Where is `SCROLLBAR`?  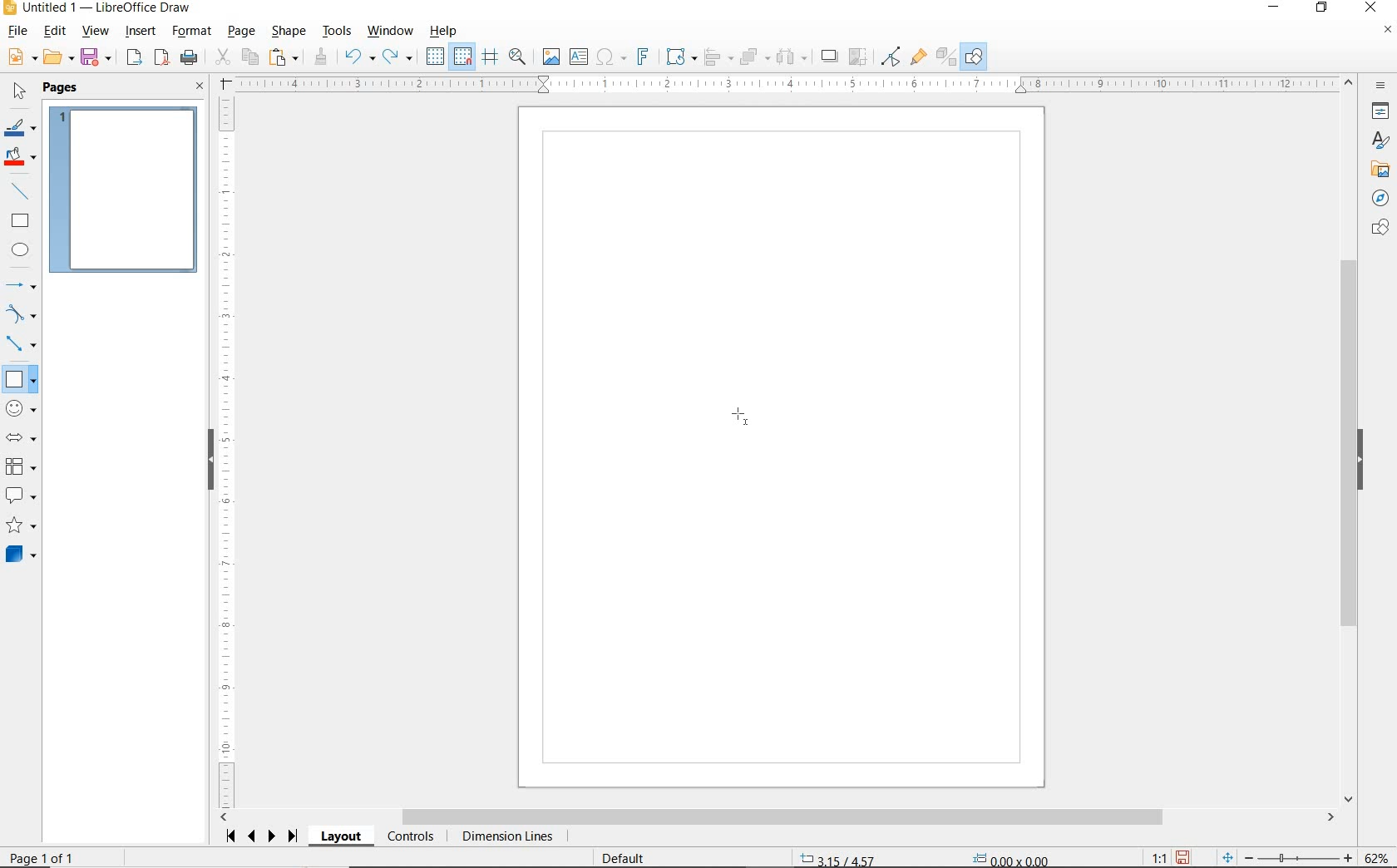
SCROLLBAR is located at coordinates (1351, 440).